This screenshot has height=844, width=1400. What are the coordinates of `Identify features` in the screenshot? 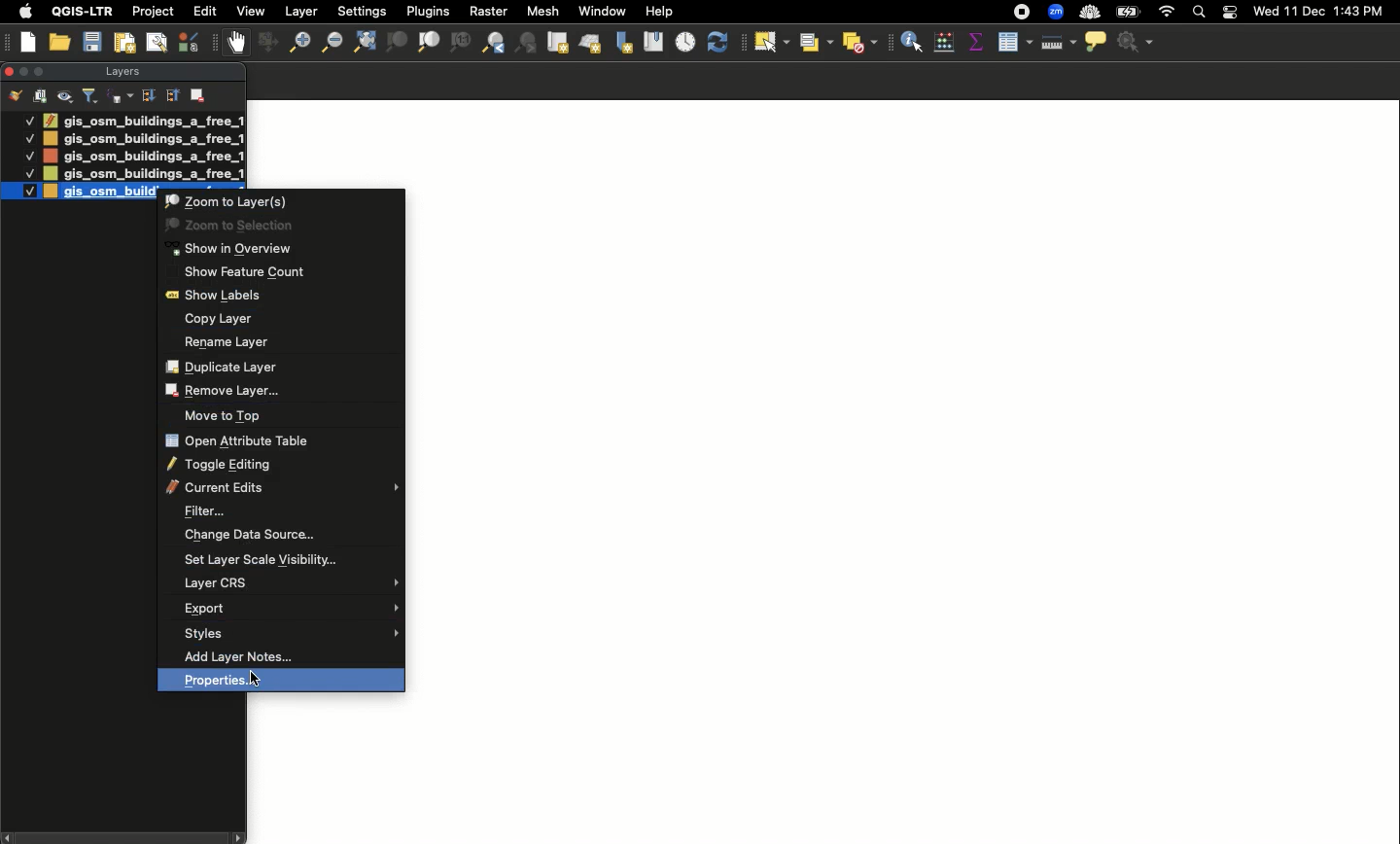 It's located at (912, 40).